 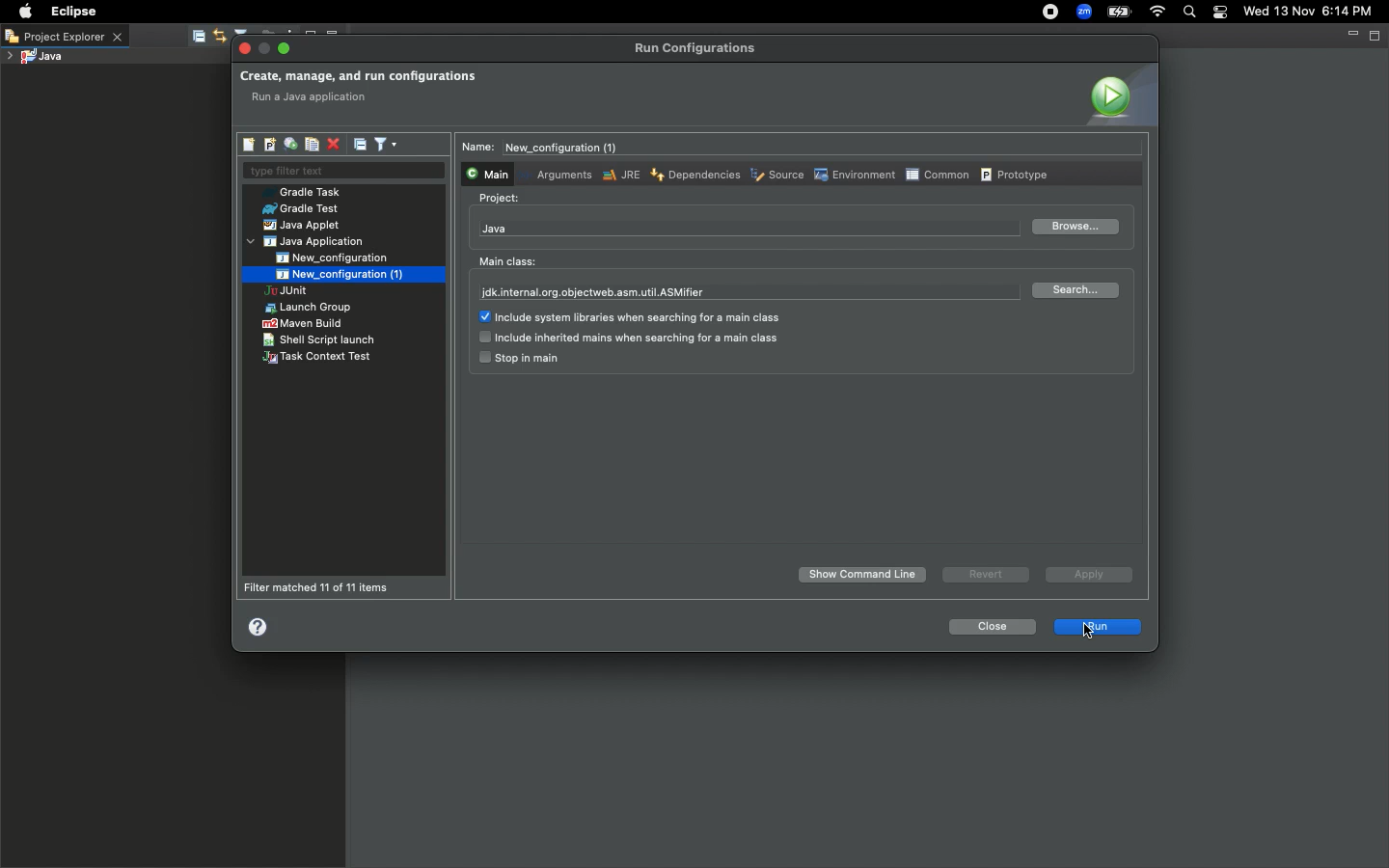 What do you see at coordinates (259, 626) in the screenshot?
I see `Help` at bounding box center [259, 626].